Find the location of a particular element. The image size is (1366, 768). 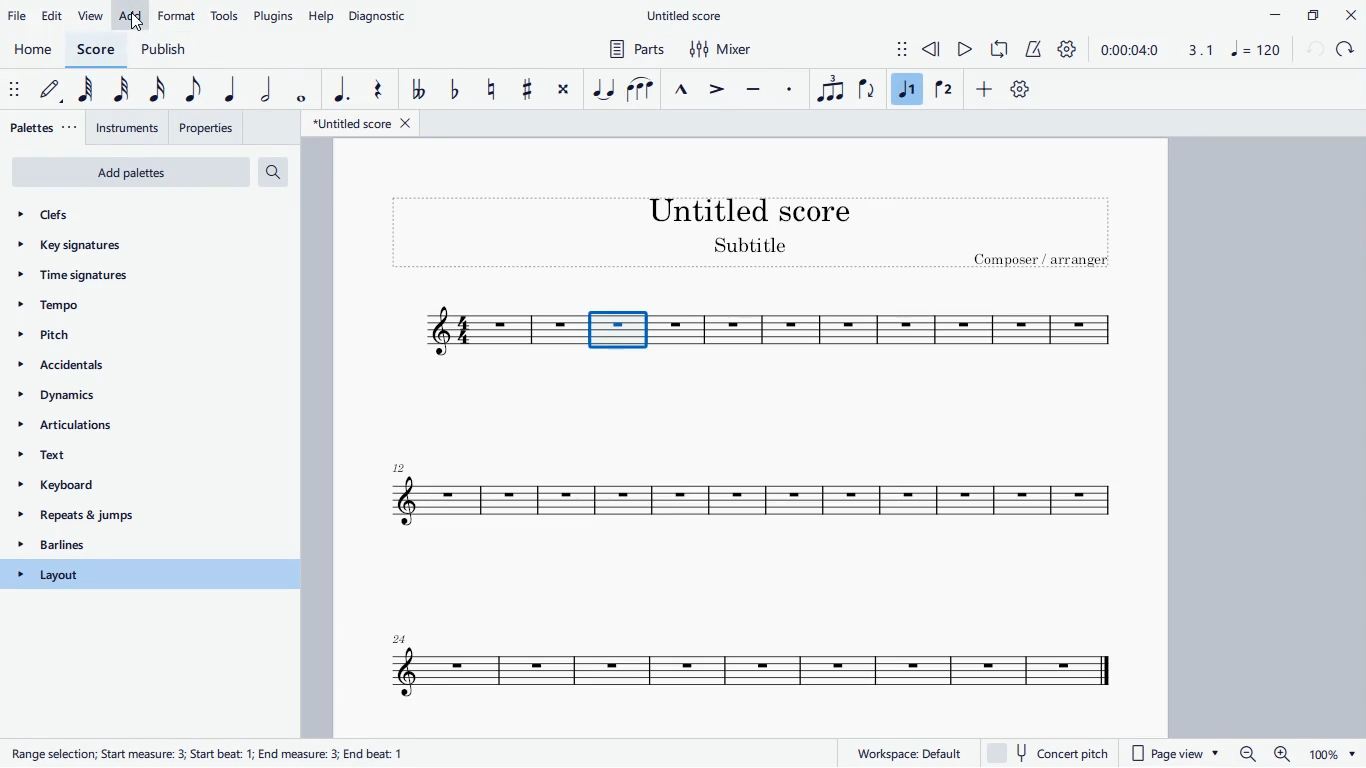

pitch is located at coordinates (79, 334).